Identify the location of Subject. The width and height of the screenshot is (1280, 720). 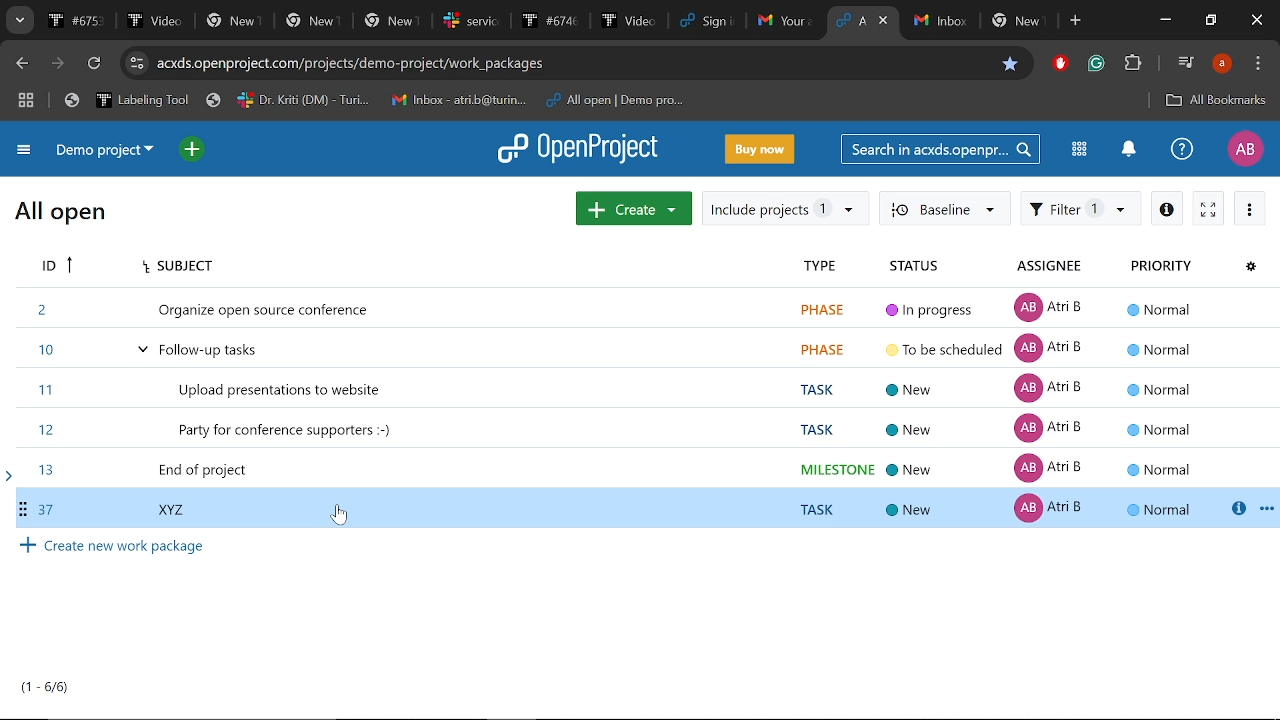
(174, 267).